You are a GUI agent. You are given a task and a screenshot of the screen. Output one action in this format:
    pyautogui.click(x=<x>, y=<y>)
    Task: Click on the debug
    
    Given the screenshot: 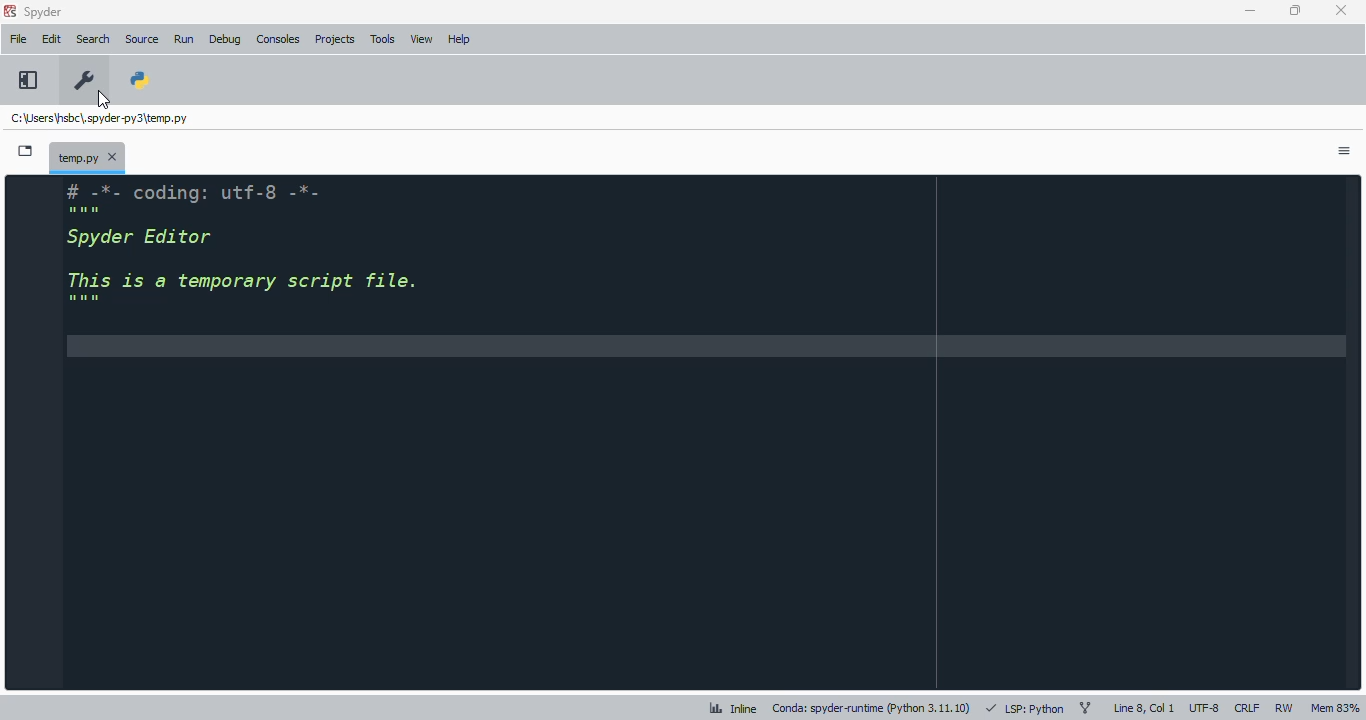 What is the action you would take?
    pyautogui.click(x=225, y=39)
    